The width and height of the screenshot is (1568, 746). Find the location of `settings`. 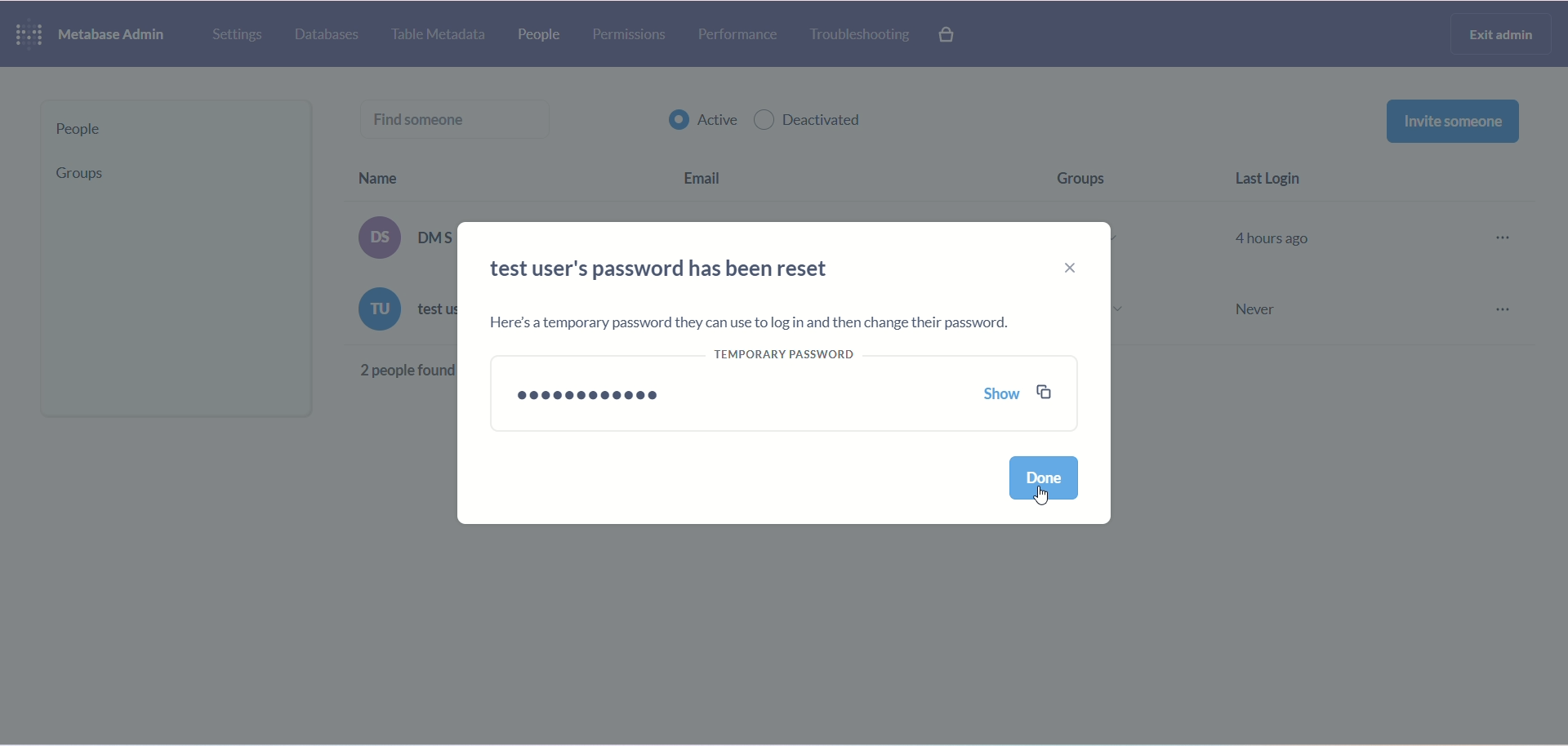

settings is located at coordinates (236, 35).